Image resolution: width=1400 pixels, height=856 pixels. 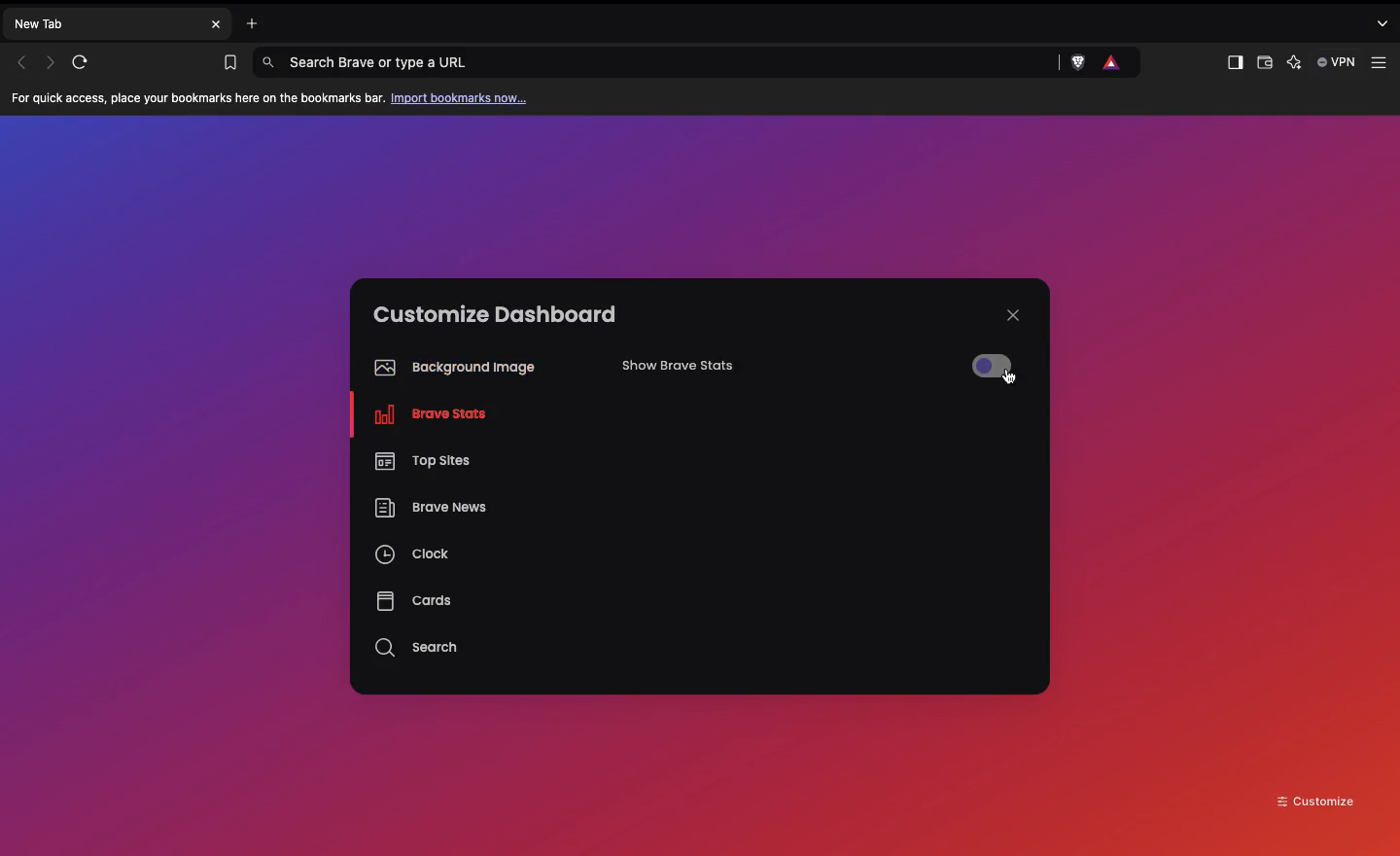 I want to click on Rewards, so click(x=1112, y=62).